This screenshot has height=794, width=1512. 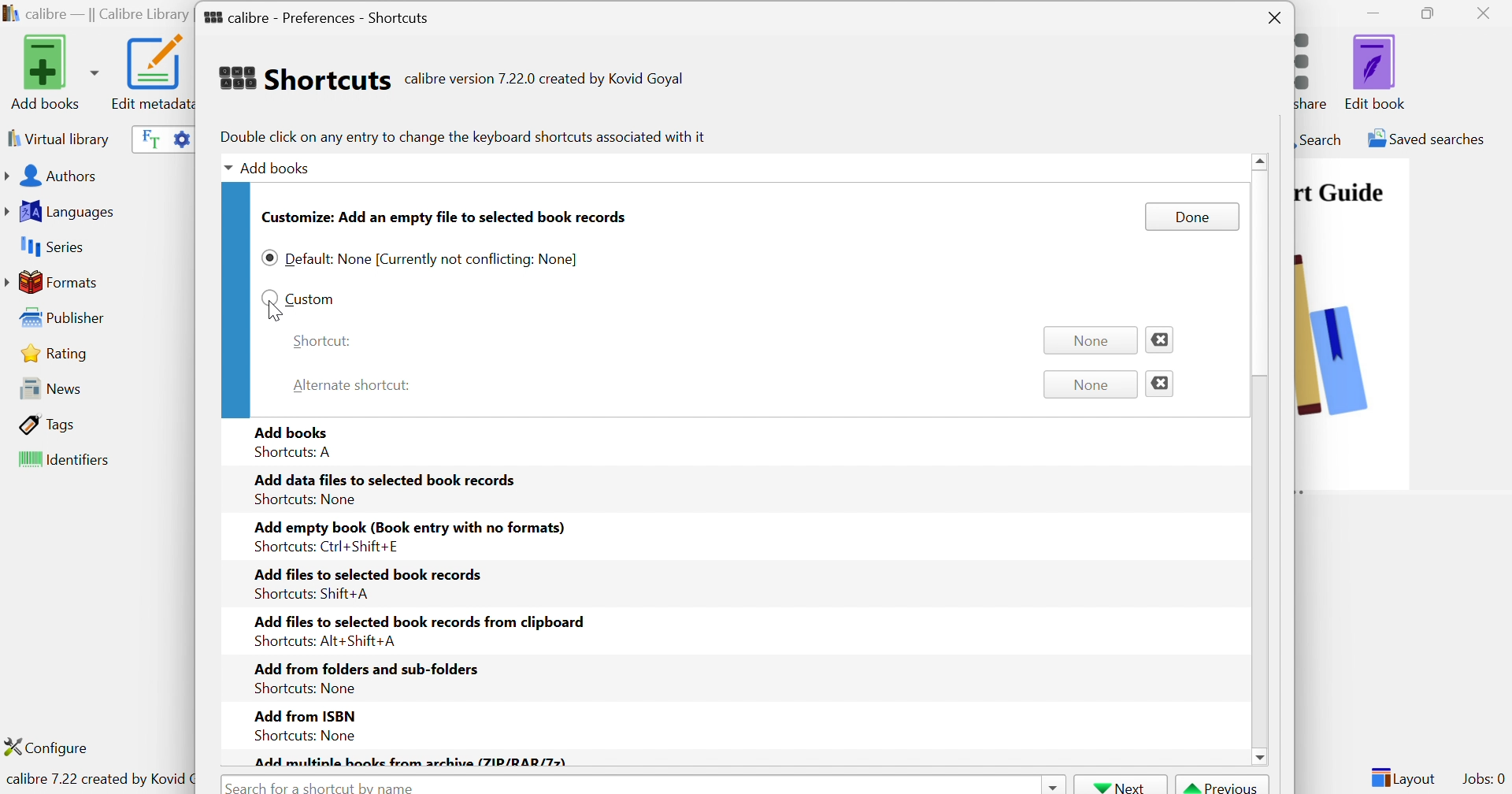 I want to click on Restore Down, so click(x=1432, y=14).